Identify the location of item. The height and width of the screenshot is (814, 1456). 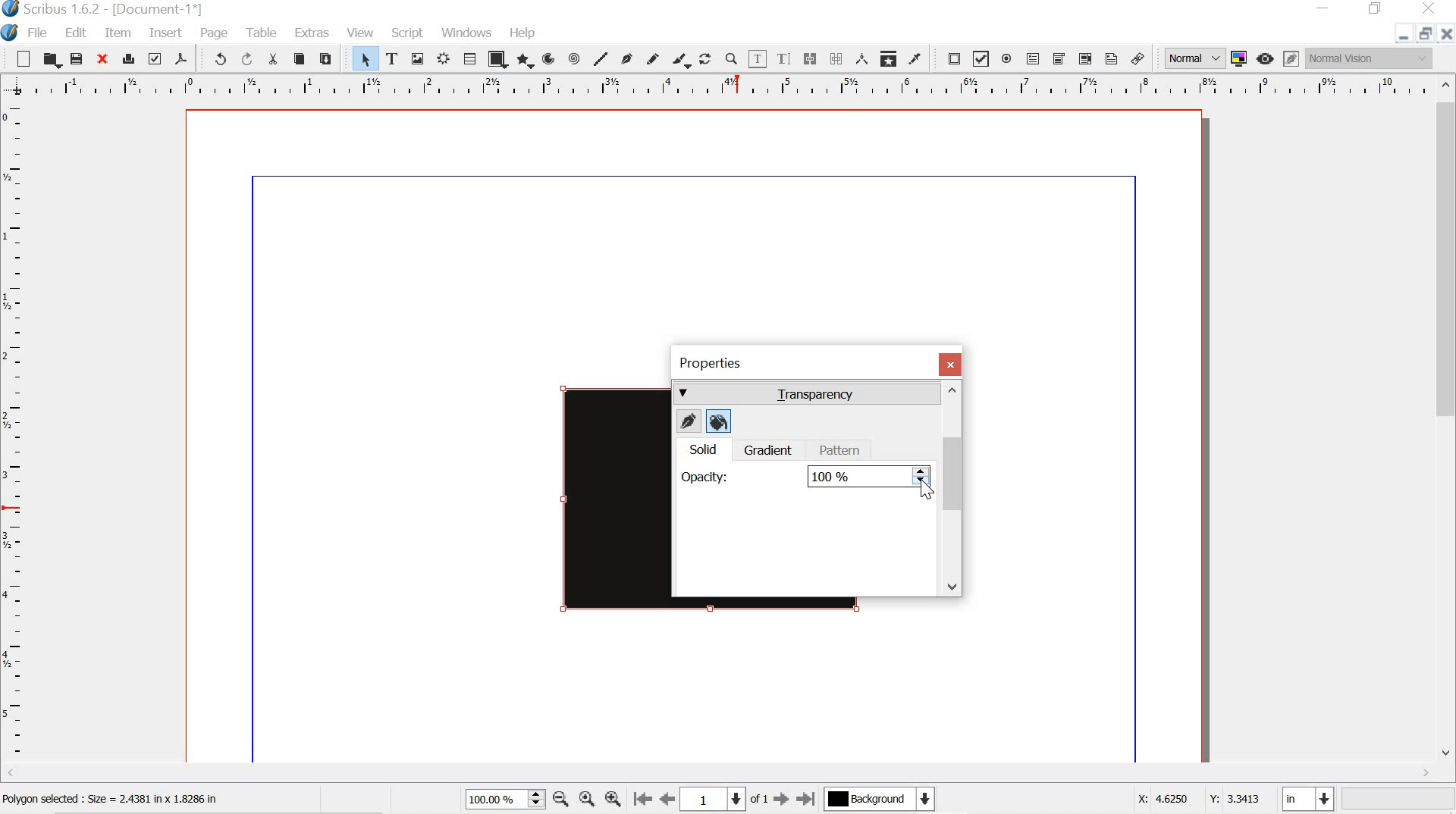
(118, 33).